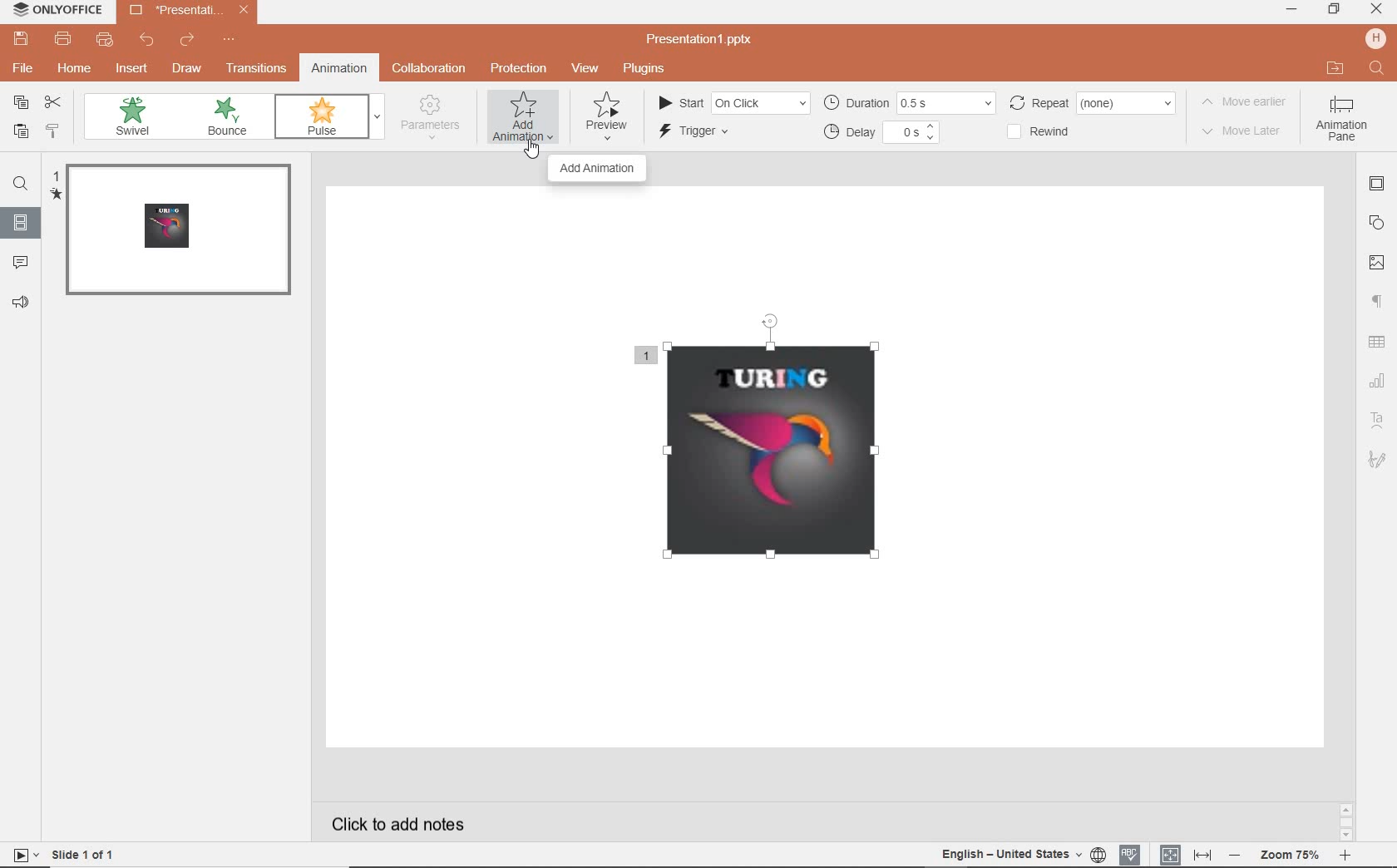 The image size is (1397, 868). I want to click on insert, so click(131, 68).